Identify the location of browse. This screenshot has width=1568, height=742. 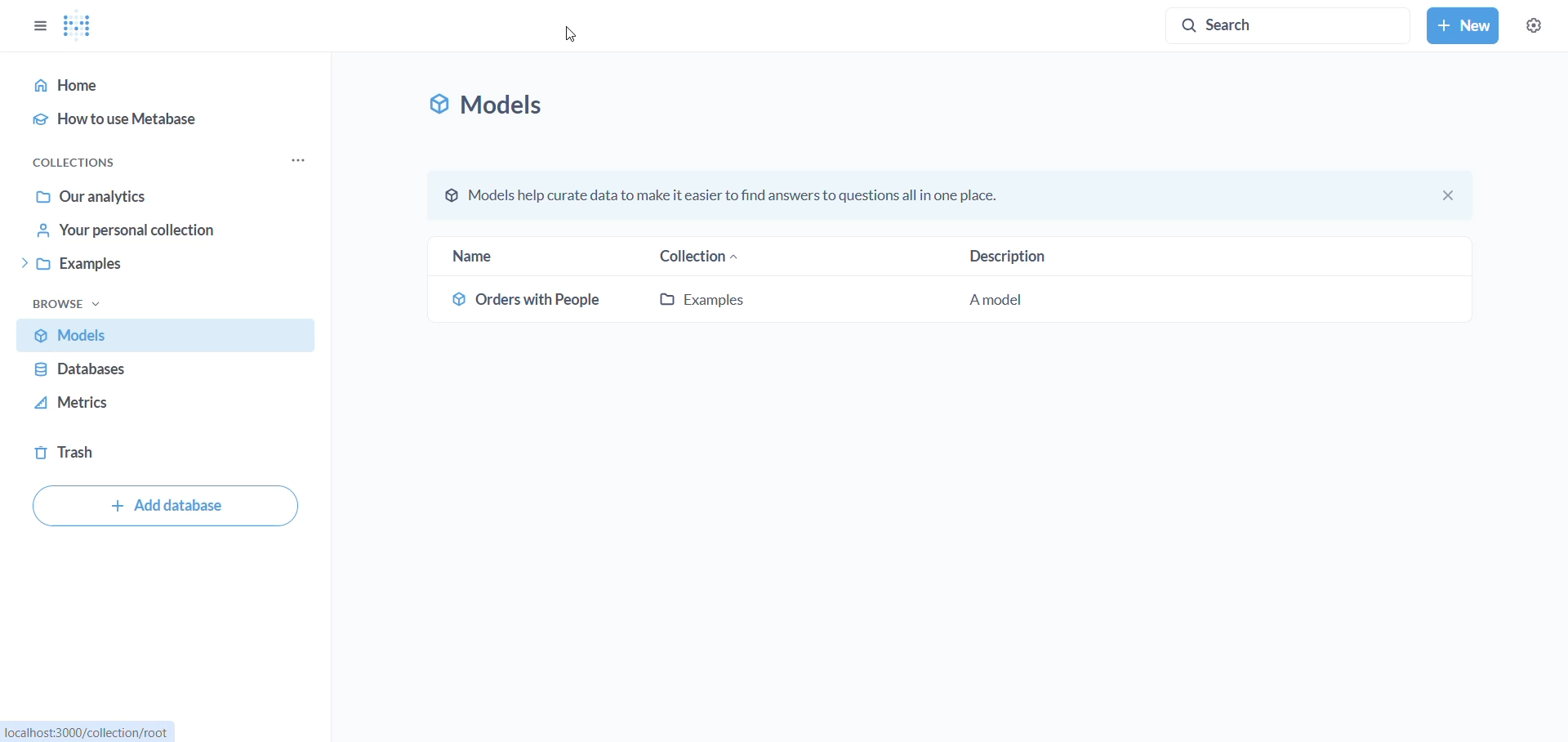
(67, 304).